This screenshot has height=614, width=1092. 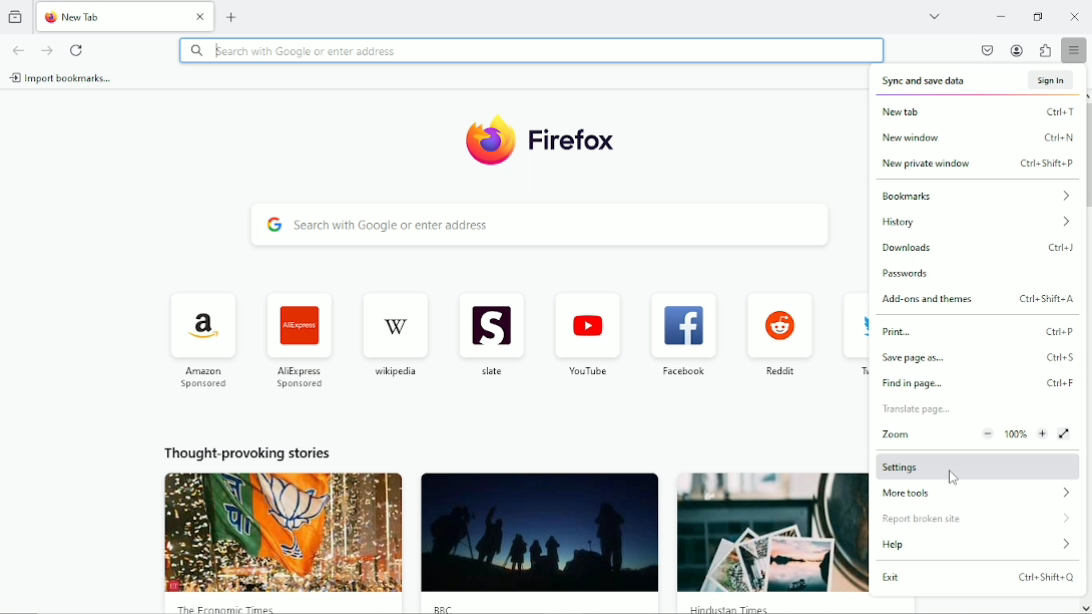 What do you see at coordinates (490, 334) in the screenshot?
I see `Slate` at bounding box center [490, 334].